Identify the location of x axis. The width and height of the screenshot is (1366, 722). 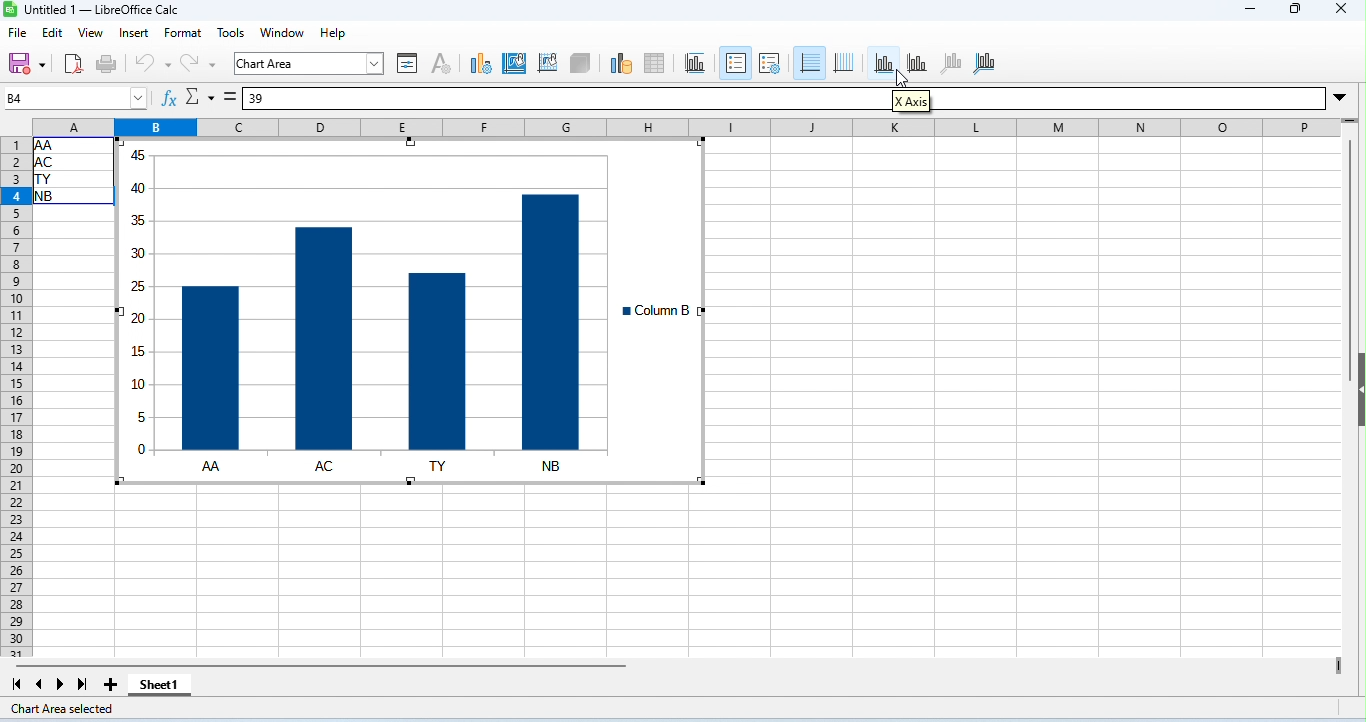
(885, 62).